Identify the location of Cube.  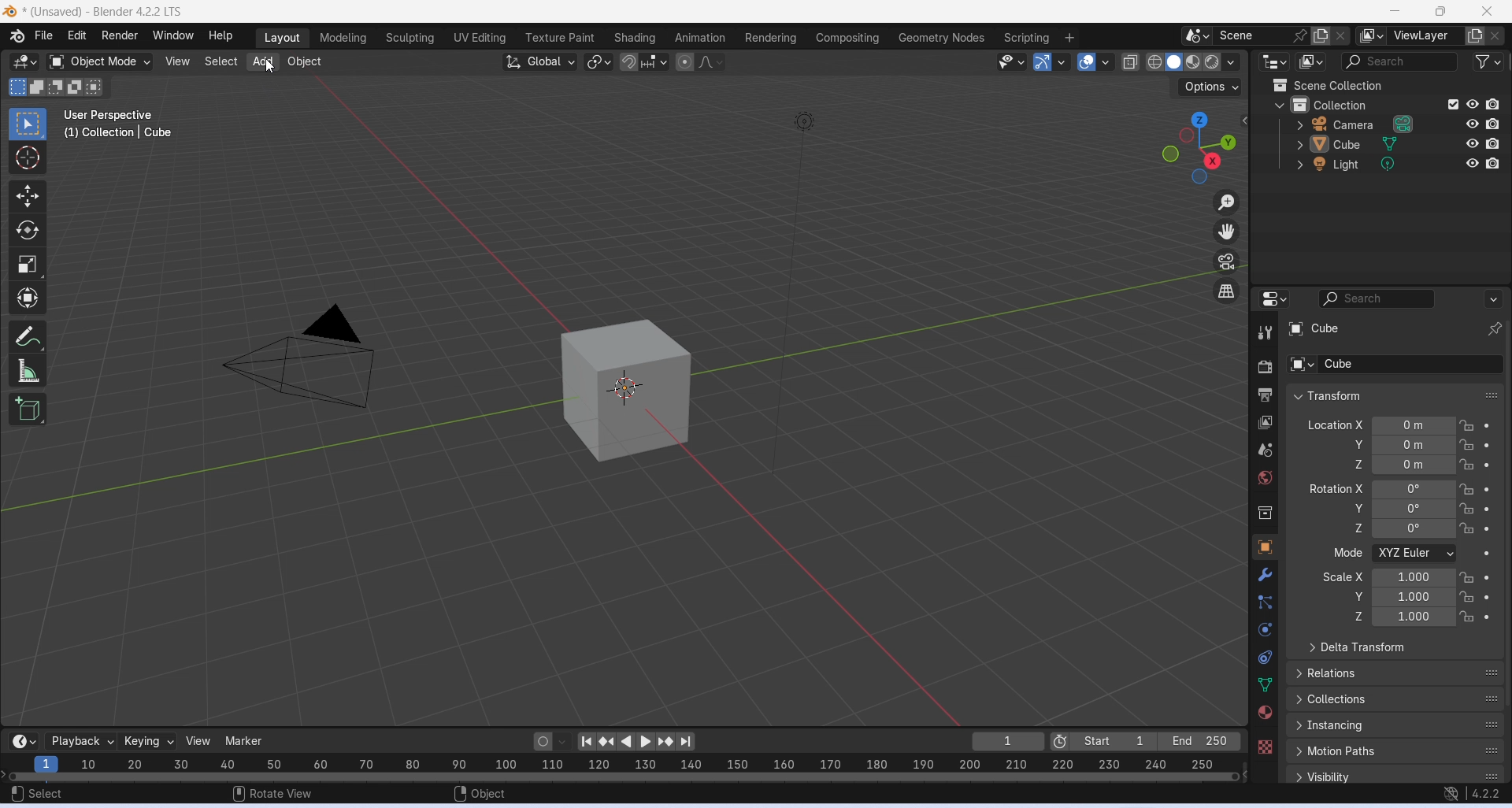
(1391, 328).